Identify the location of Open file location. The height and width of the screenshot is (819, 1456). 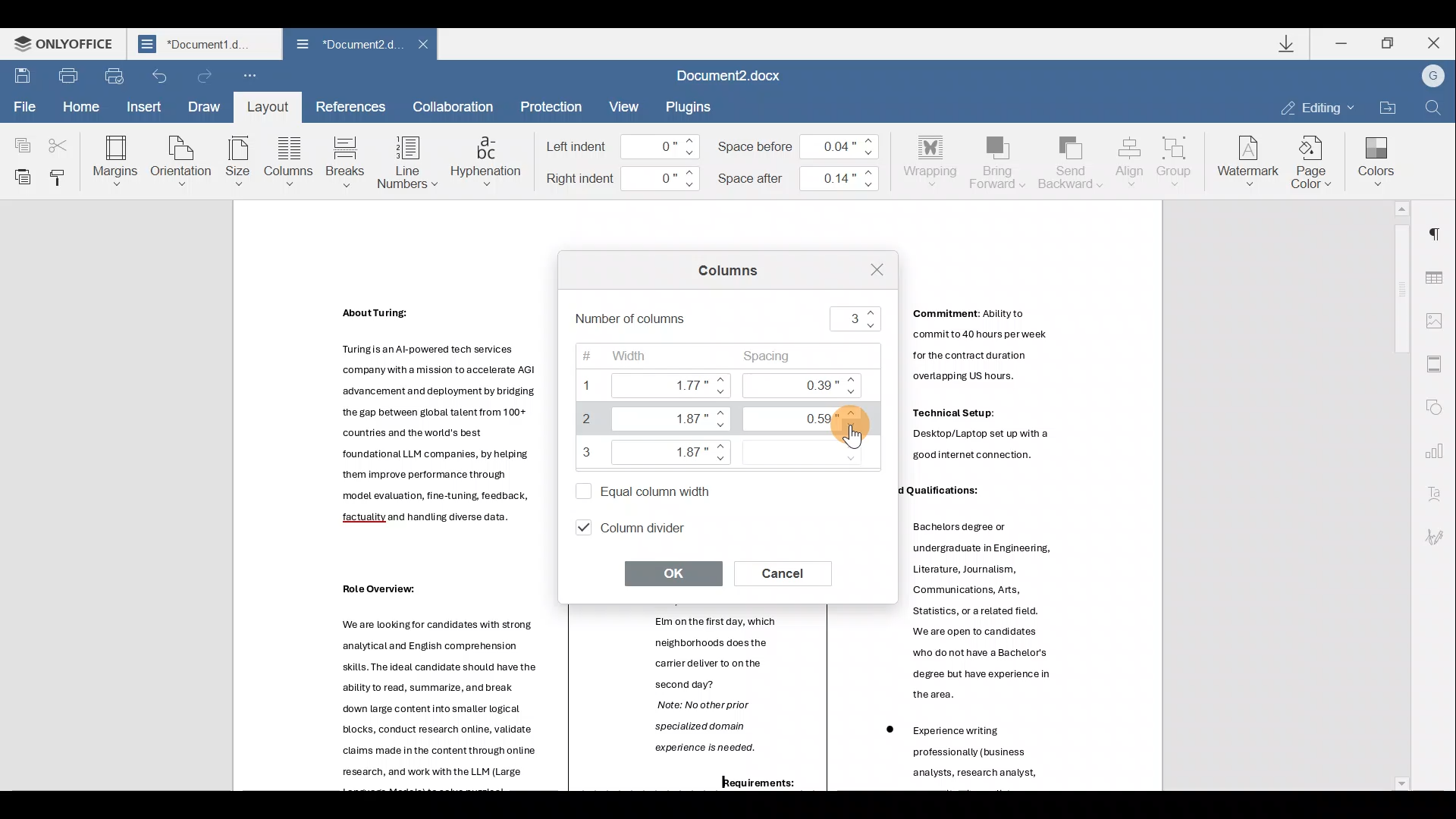
(1387, 106).